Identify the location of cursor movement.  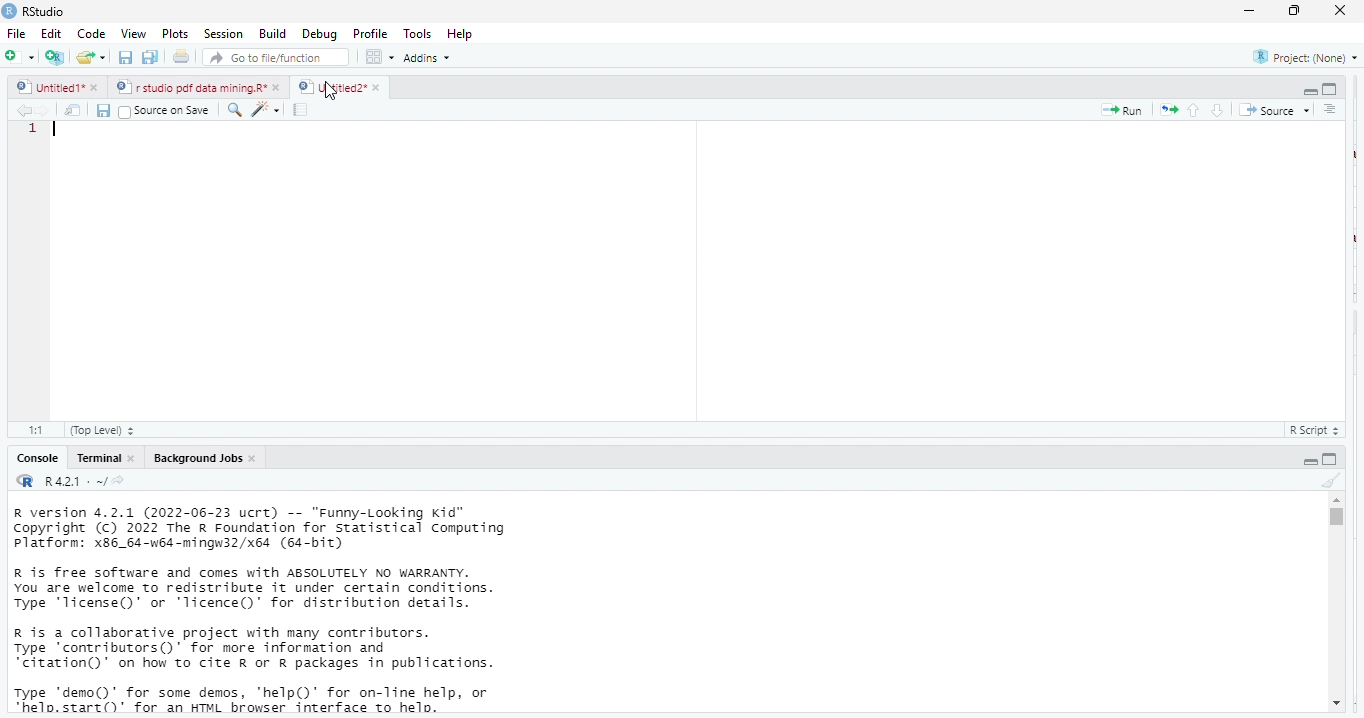
(332, 92).